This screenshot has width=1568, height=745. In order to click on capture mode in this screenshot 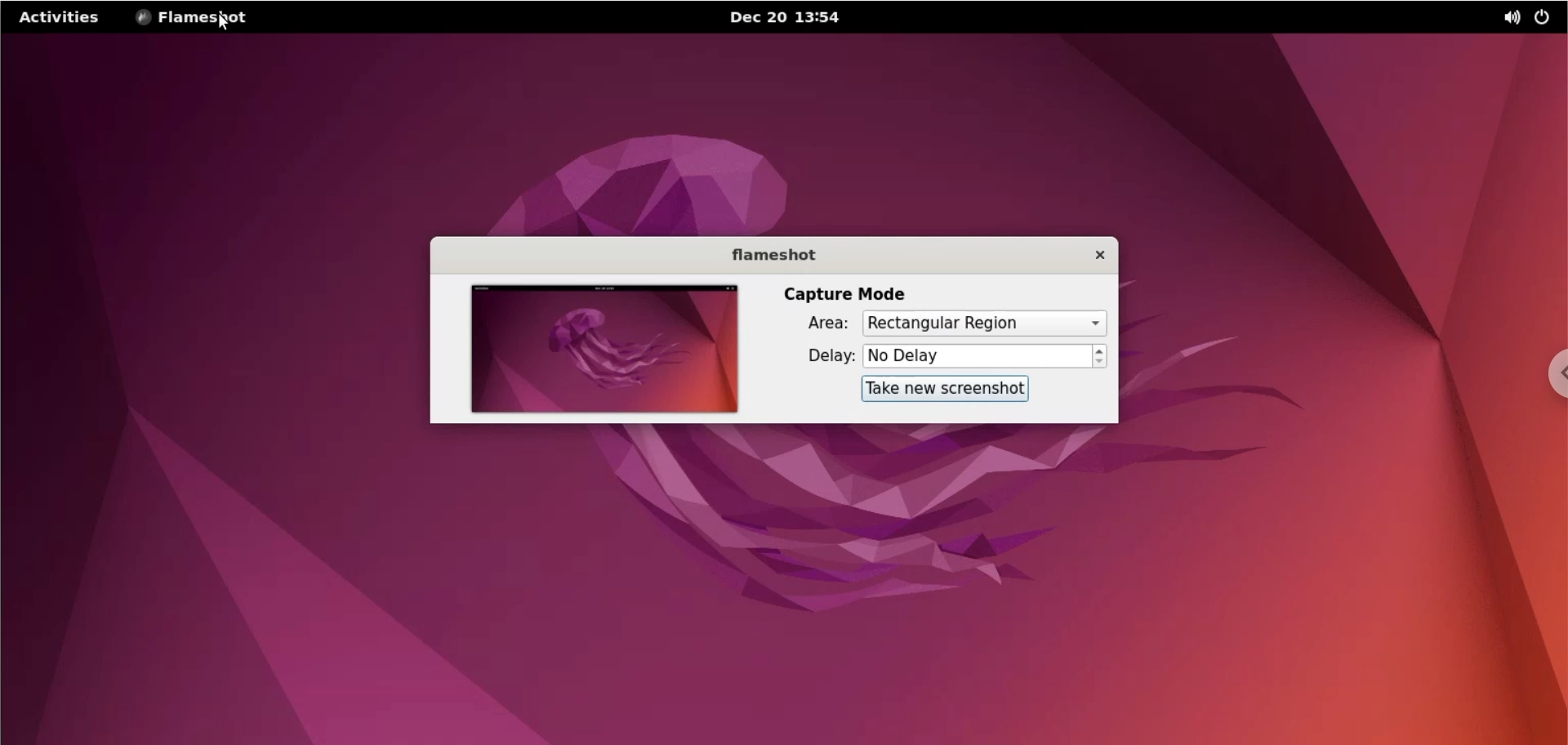, I will do `click(851, 293)`.